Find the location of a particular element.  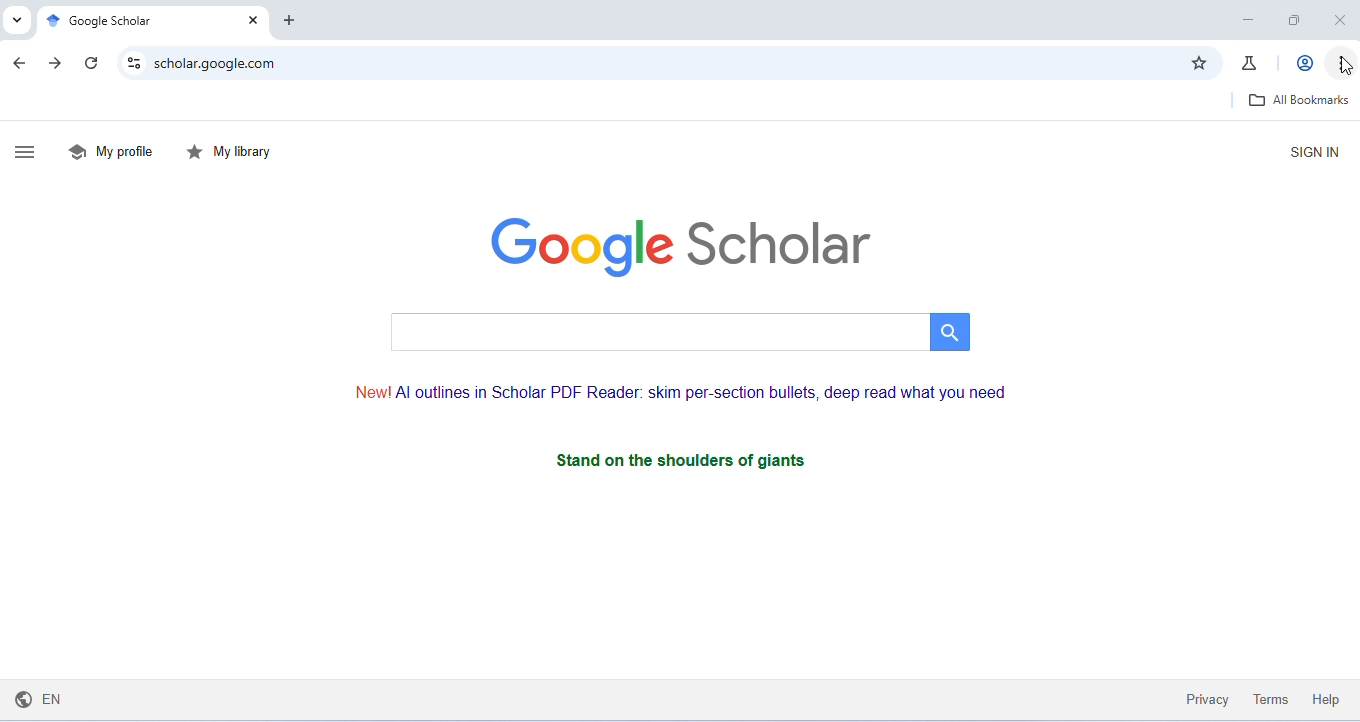

search bar is located at coordinates (681, 332).